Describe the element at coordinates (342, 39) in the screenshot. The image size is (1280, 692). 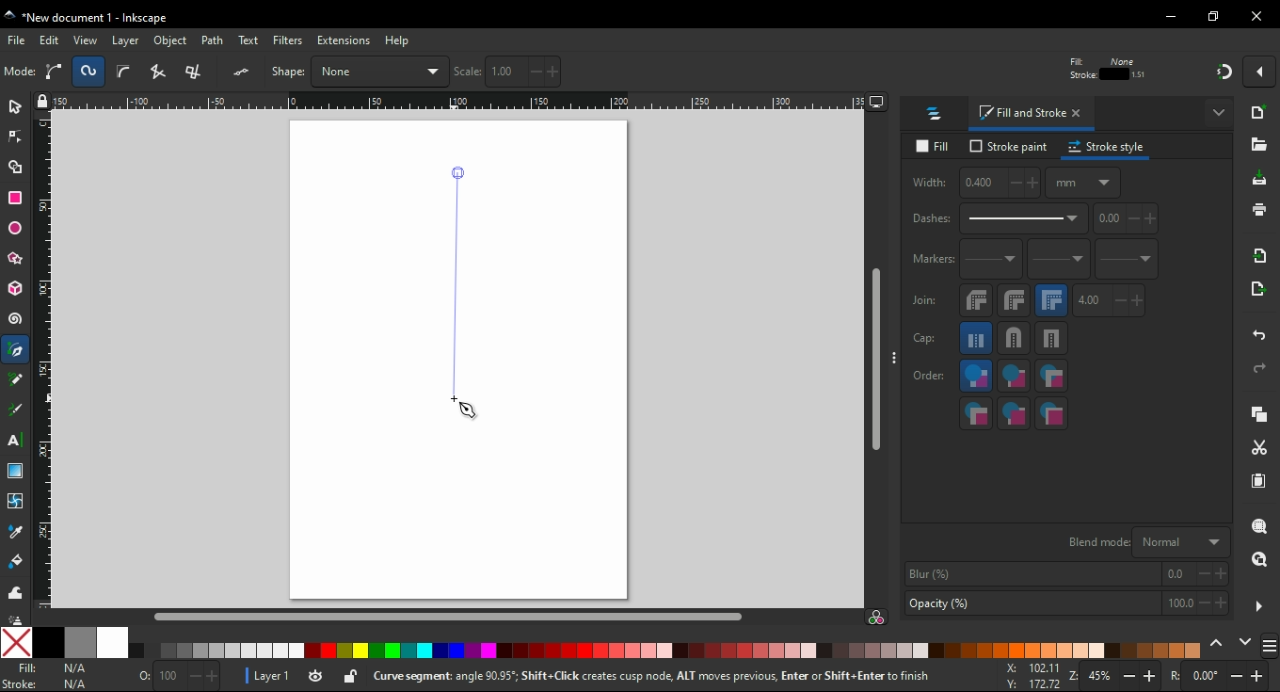
I see `extension` at that location.